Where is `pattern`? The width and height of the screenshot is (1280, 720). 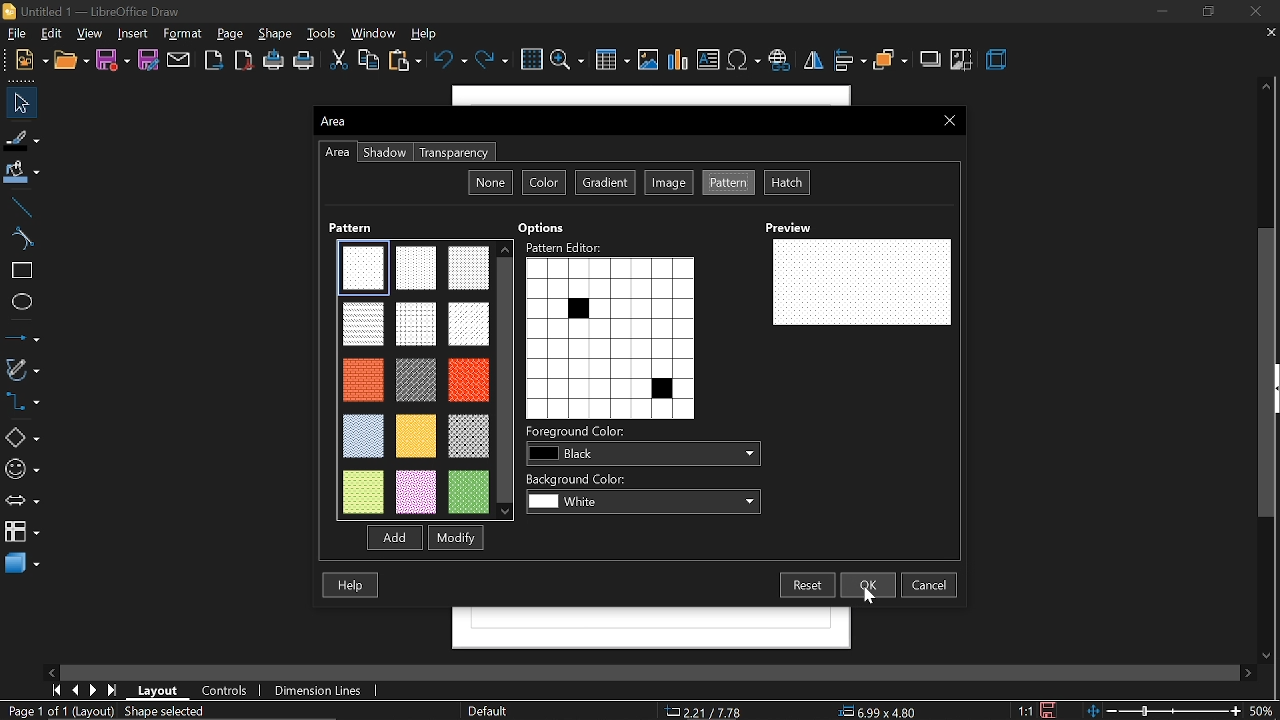
pattern is located at coordinates (728, 183).